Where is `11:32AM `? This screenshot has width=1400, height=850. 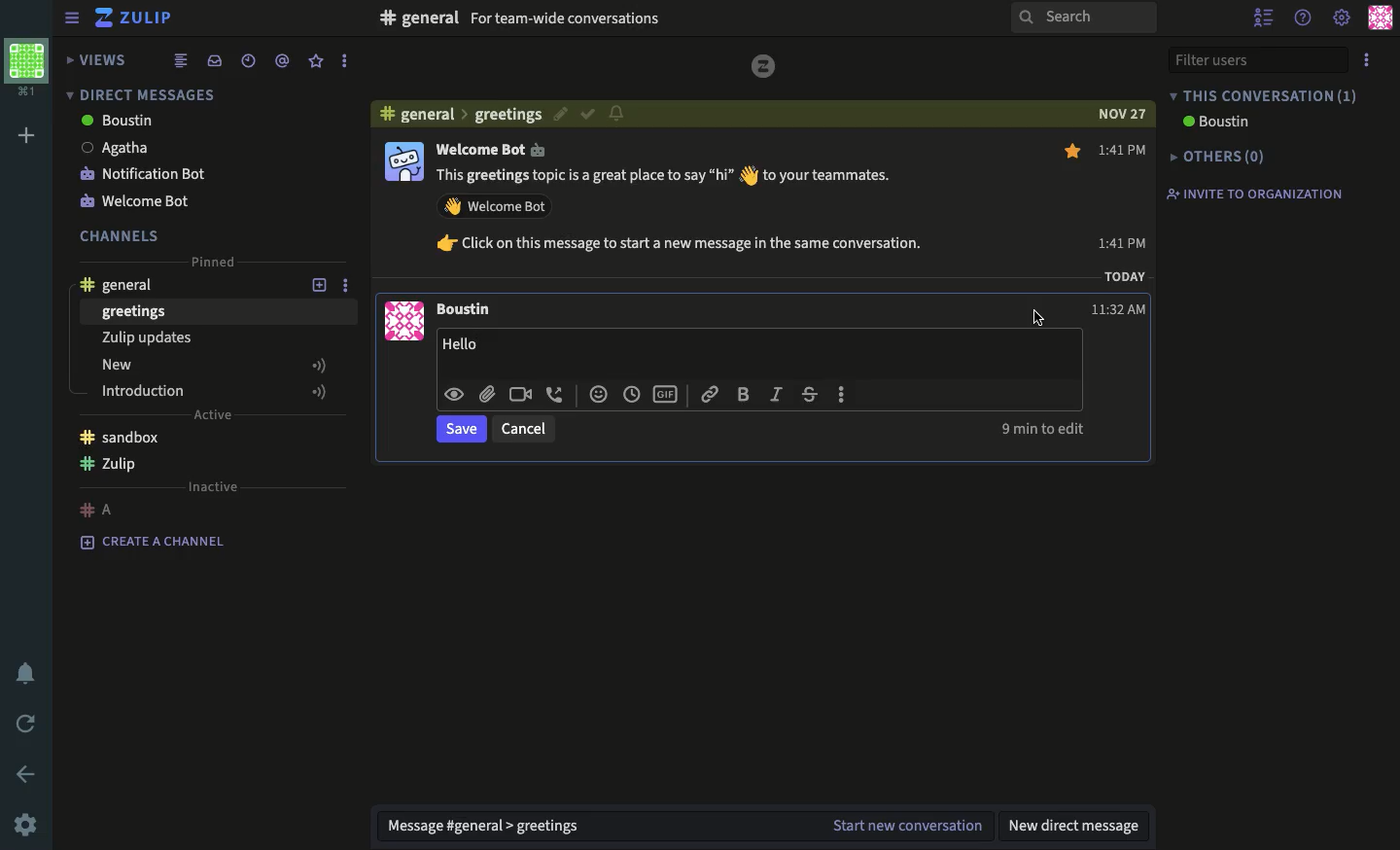
11:32AM  is located at coordinates (1116, 309).